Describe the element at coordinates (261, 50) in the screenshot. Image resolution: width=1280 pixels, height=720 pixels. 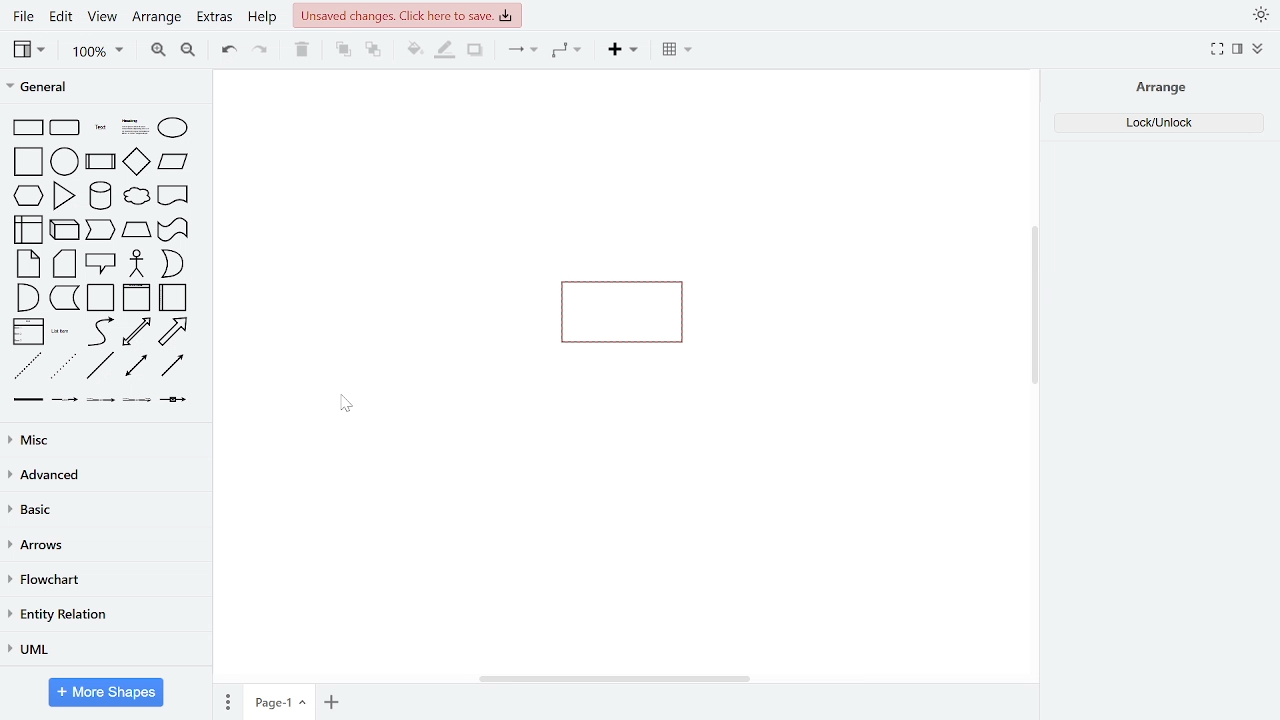
I see `redo` at that location.